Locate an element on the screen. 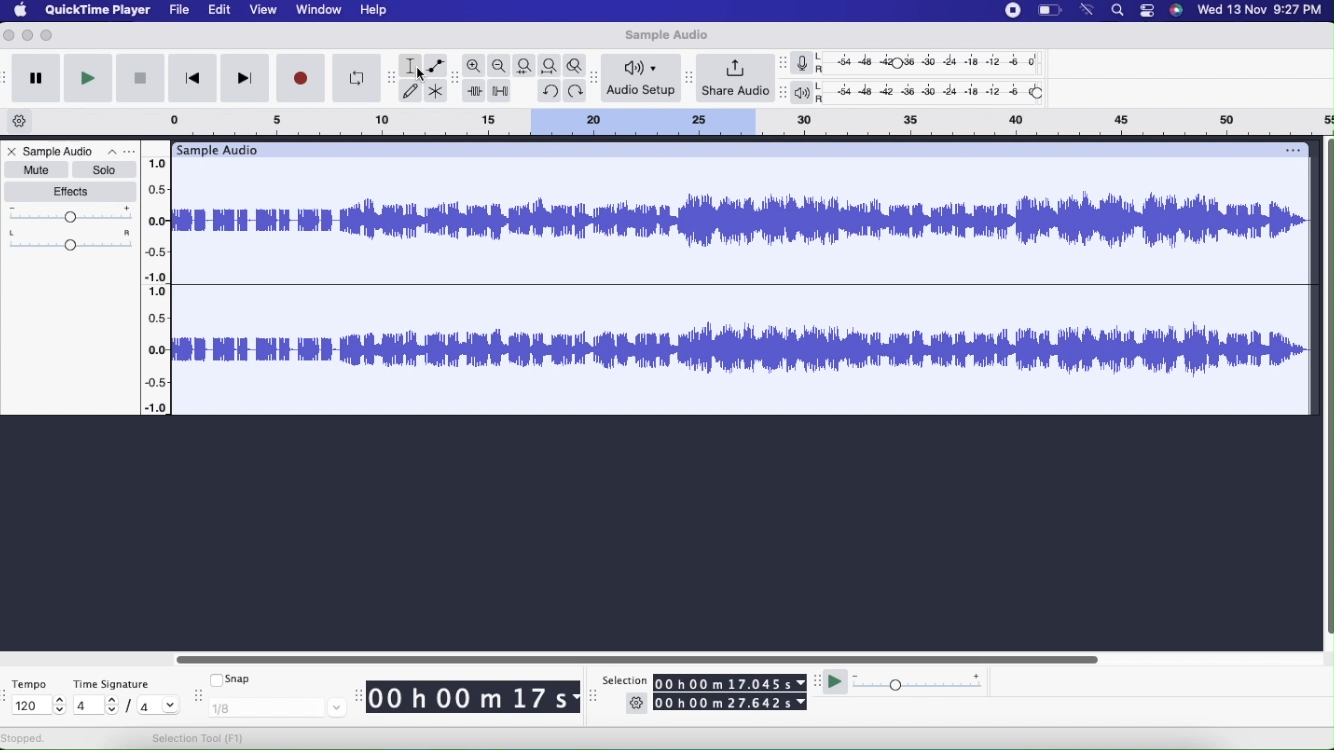 The height and width of the screenshot is (750, 1334). quicktimeplayer is located at coordinates (99, 11).